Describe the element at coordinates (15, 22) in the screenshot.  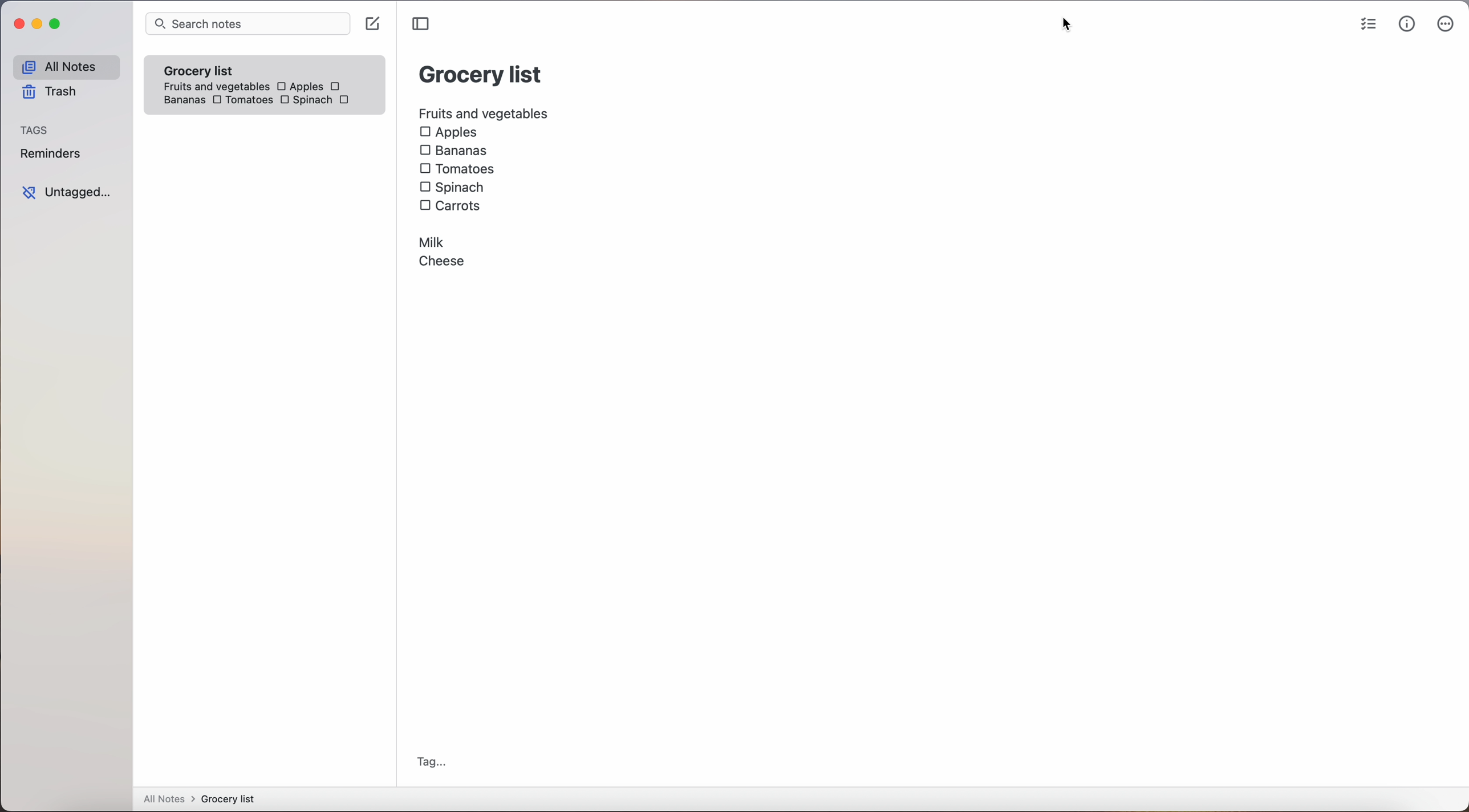
I see `close app` at that location.